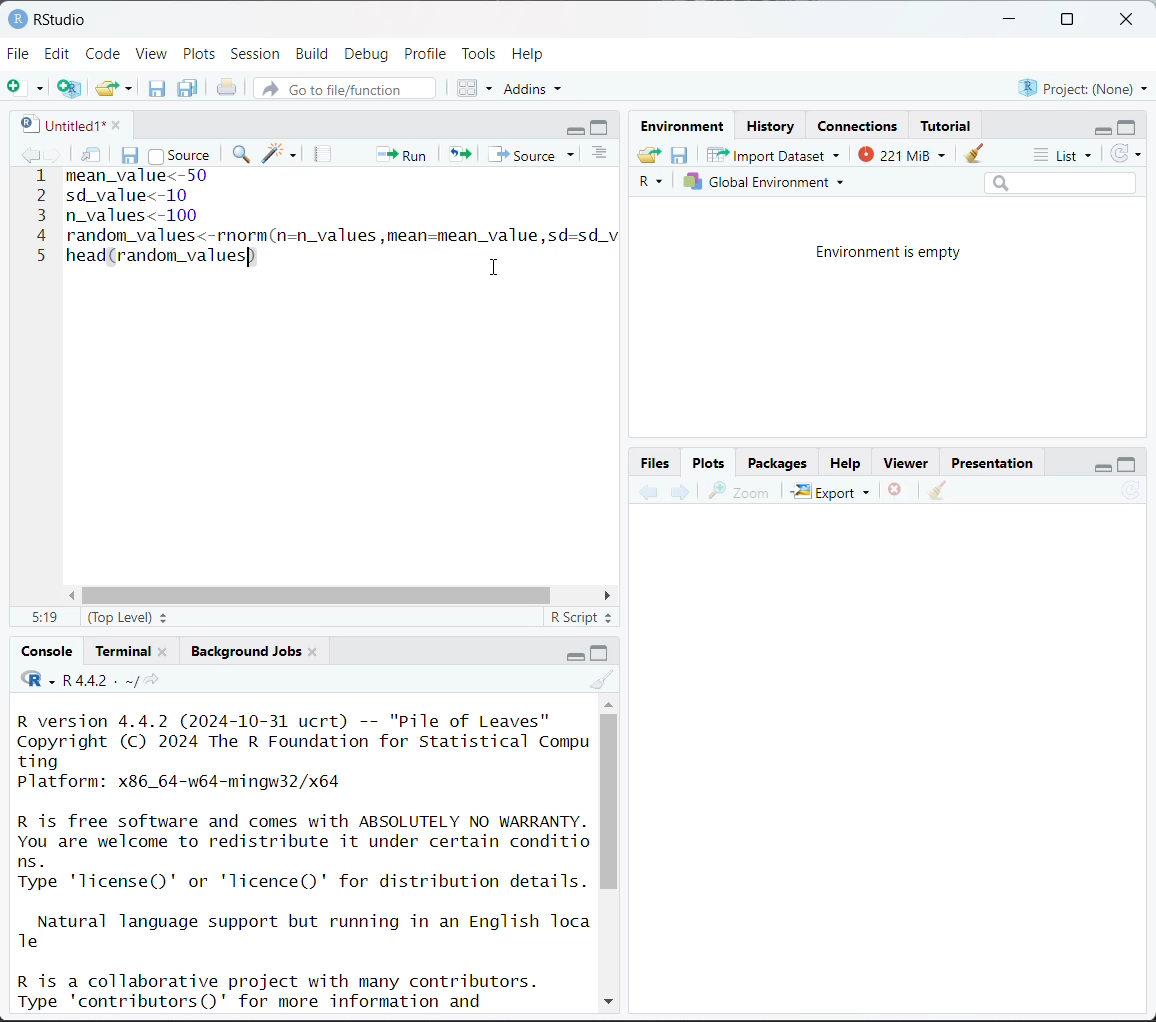 The width and height of the screenshot is (1156, 1022). I want to click on run, so click(399, 153).